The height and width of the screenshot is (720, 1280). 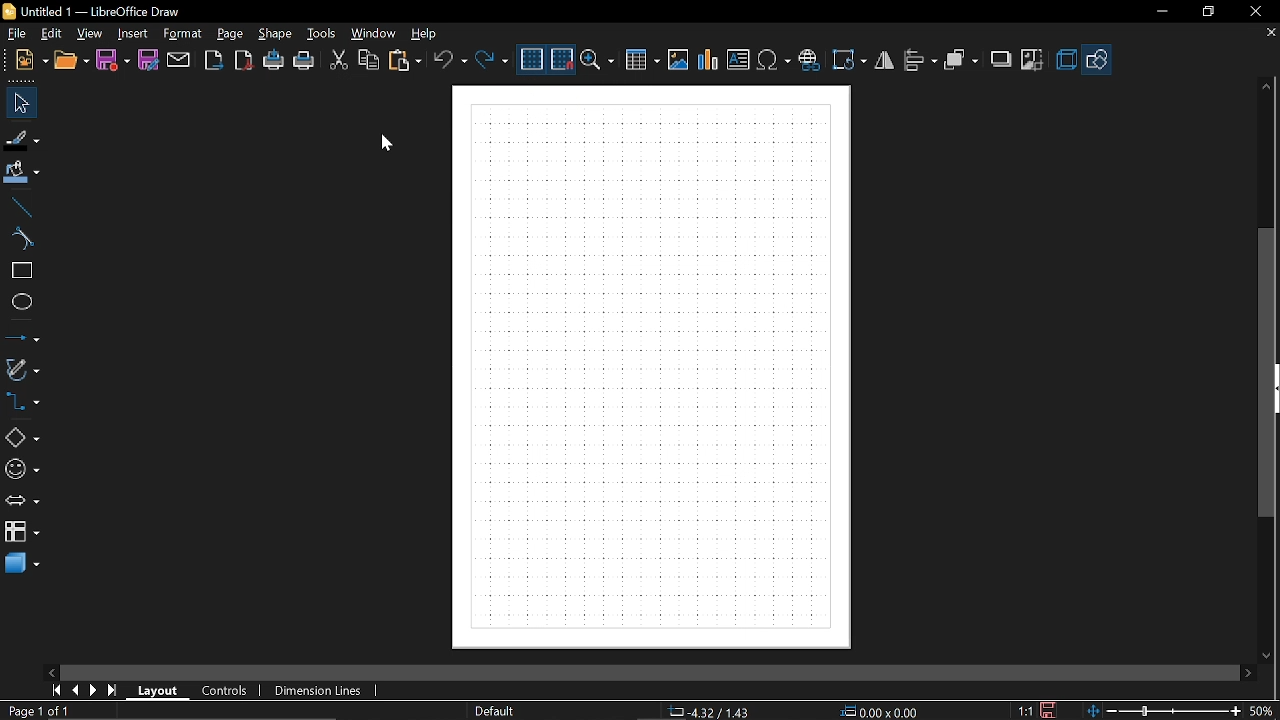 I want to click on print, so click(x=304, y=61).